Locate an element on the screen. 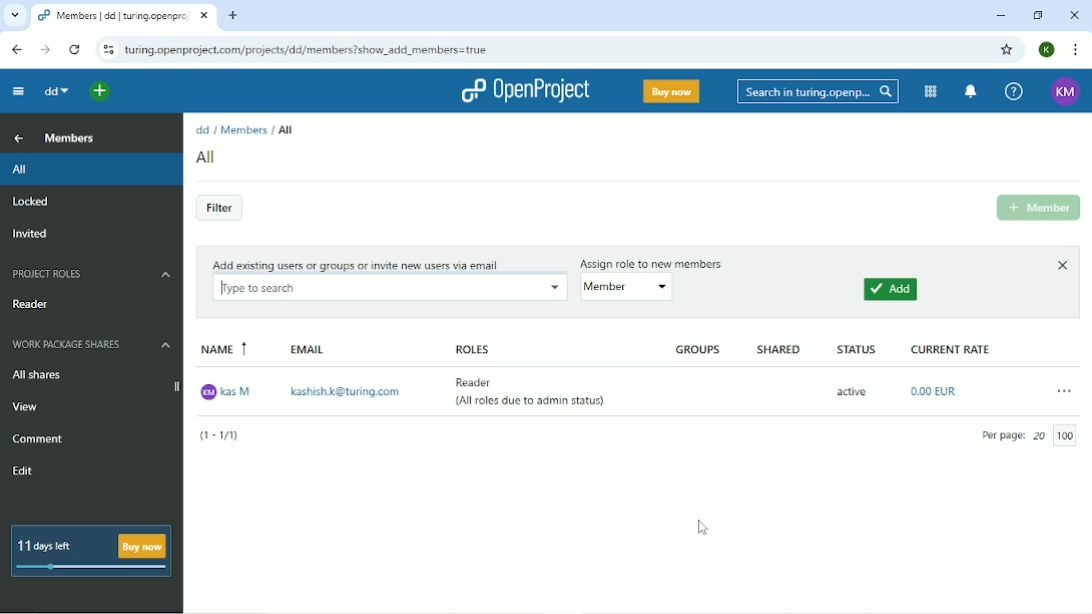 Image resolution: width=1092 pixels, height=614 pixels. Reader is located at coordinates (35, 304).